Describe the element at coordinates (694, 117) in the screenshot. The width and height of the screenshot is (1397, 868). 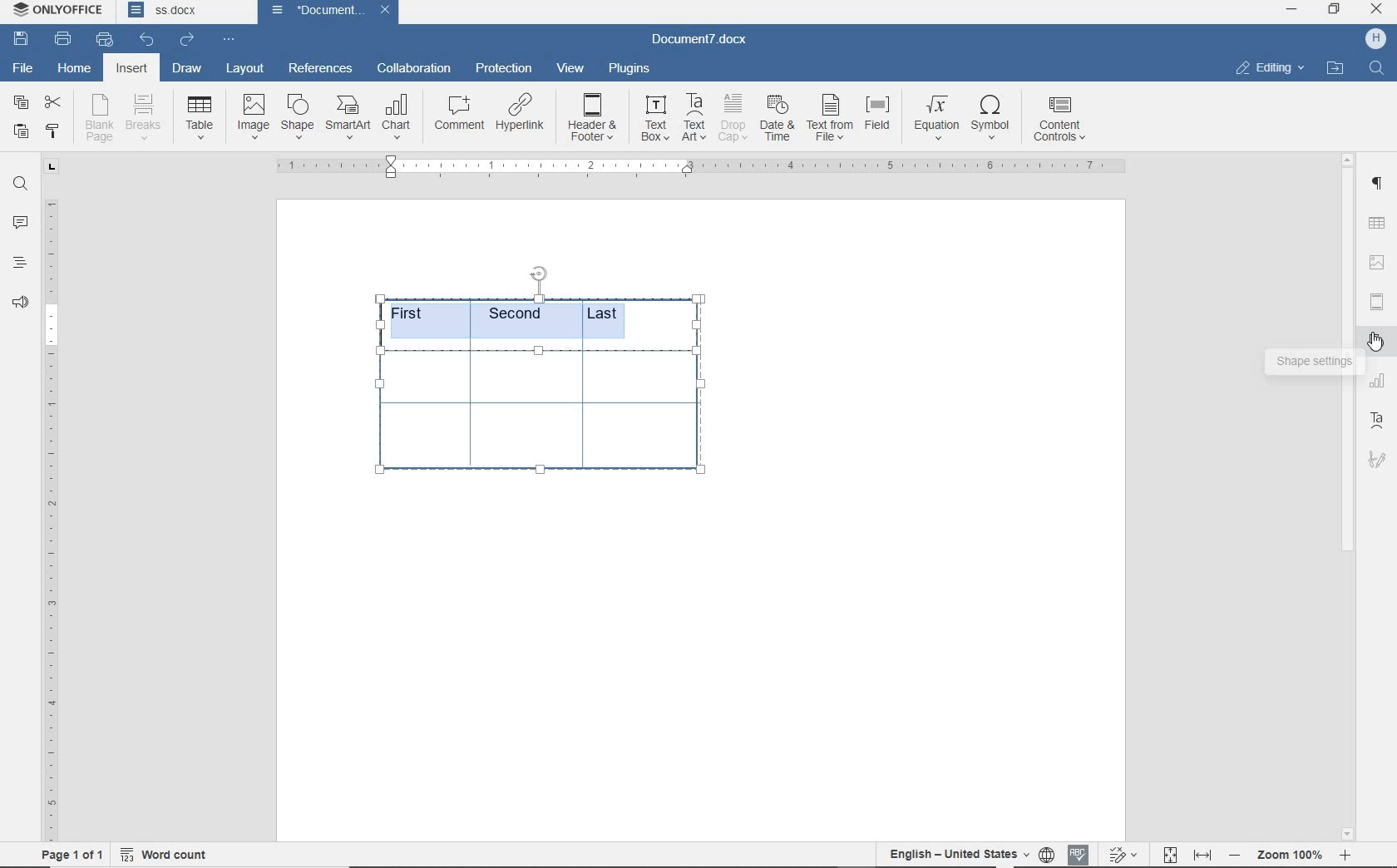
I see `text art` at that location.